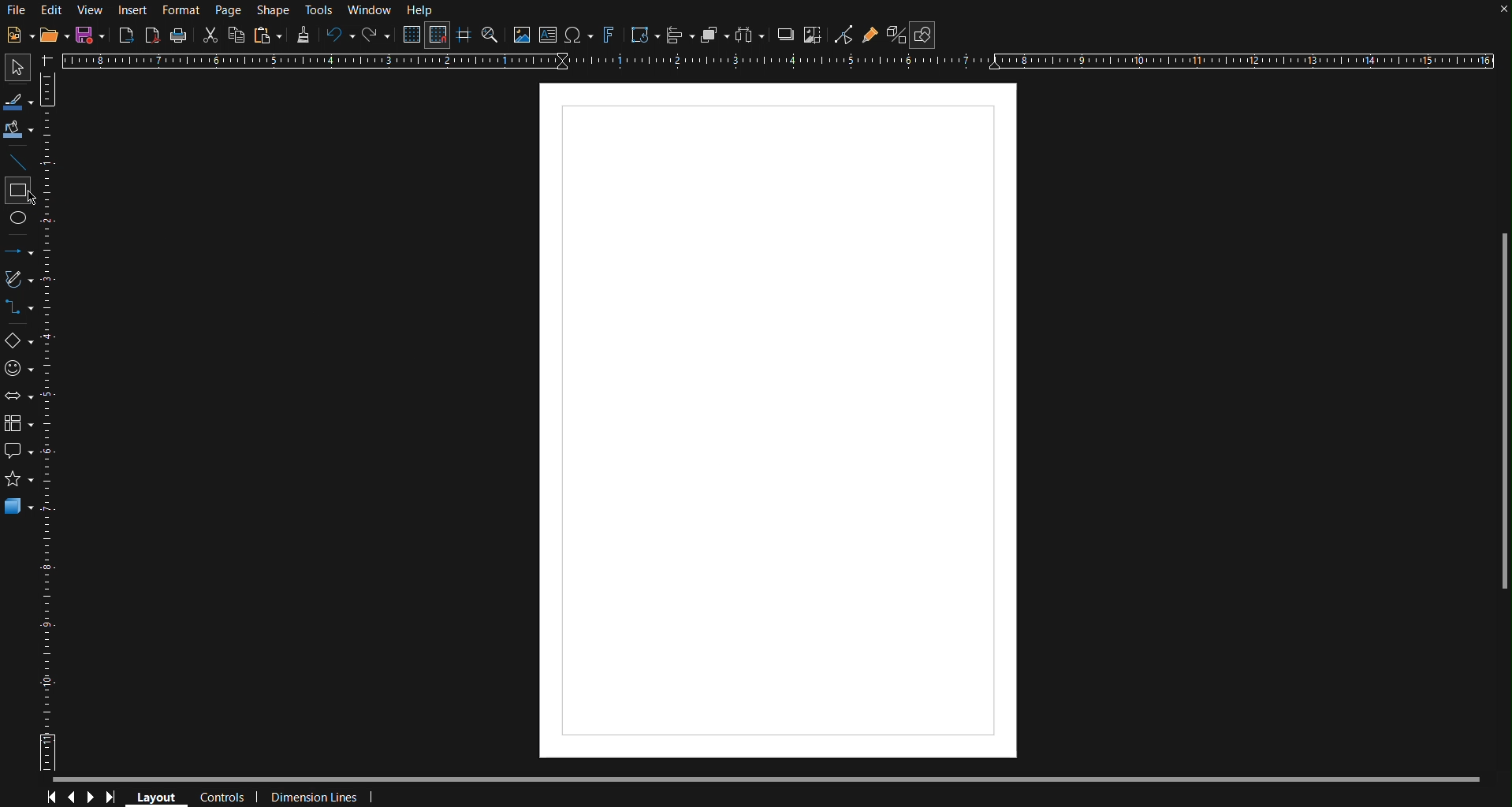  Describe the element at coordinates (155, 796) in the screenshot. I see `Layout` at that location.